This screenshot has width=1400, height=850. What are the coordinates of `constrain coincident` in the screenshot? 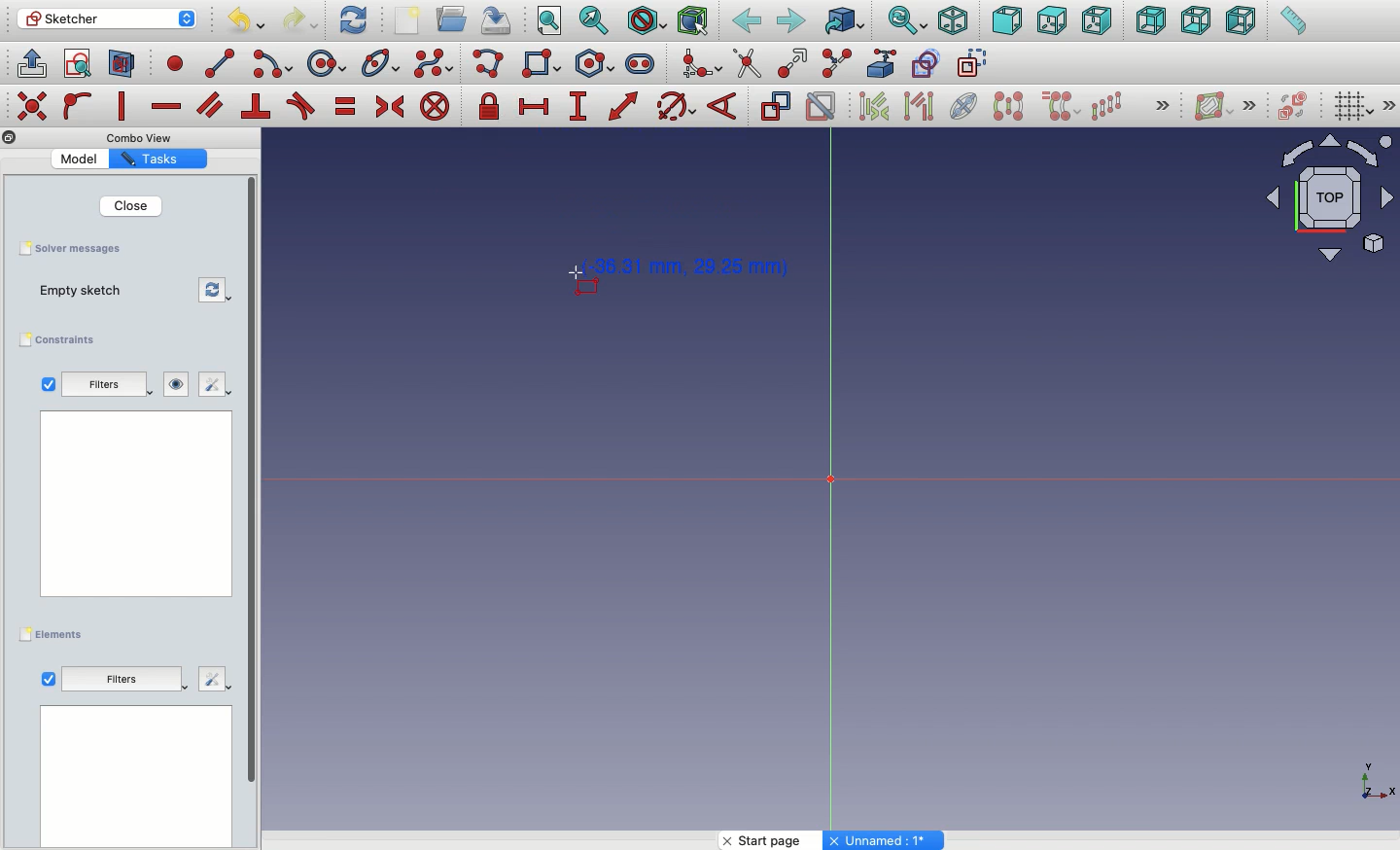 It's located at (34, 106).